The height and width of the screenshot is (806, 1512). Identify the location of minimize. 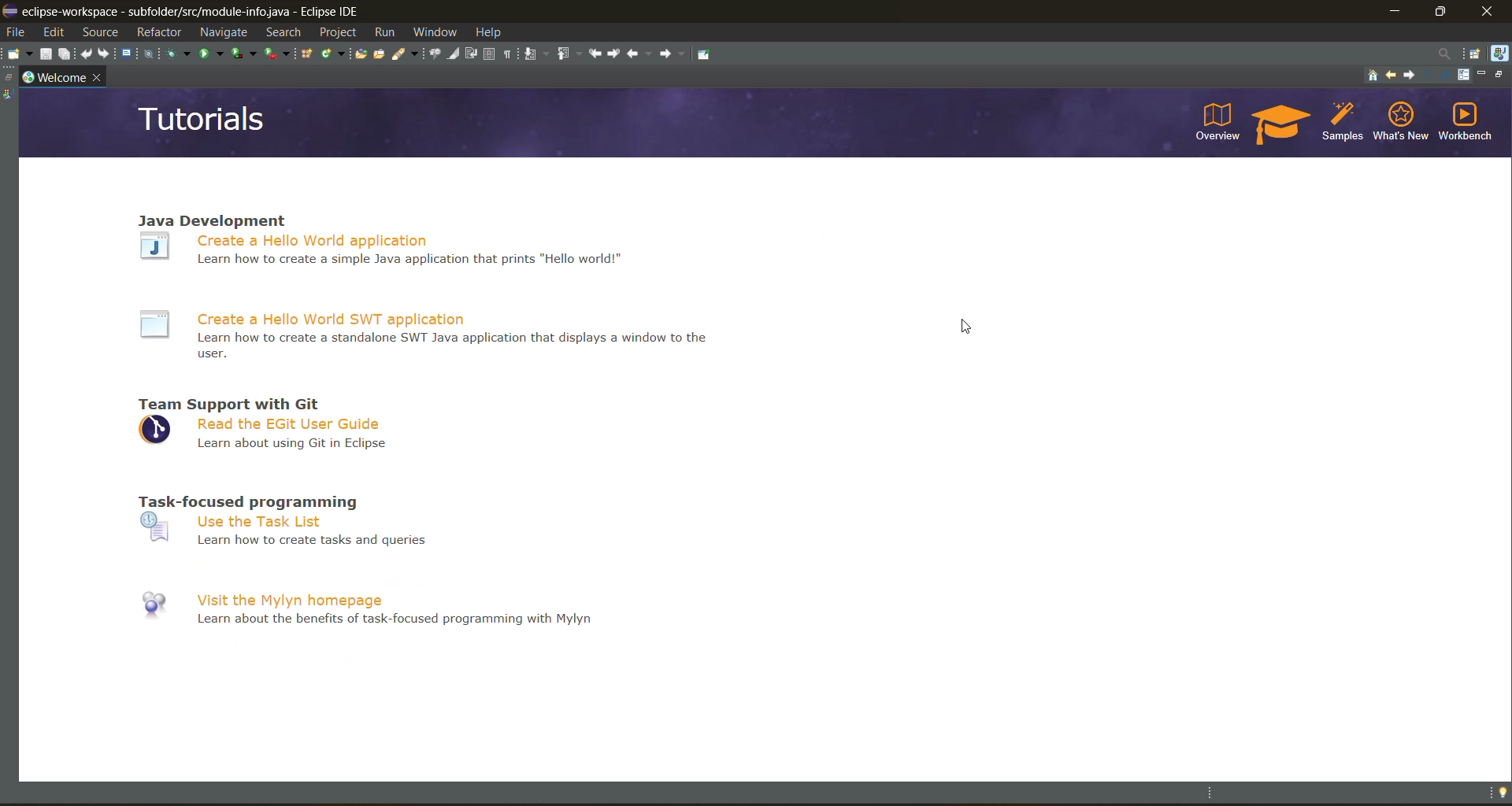
(1395, 10).